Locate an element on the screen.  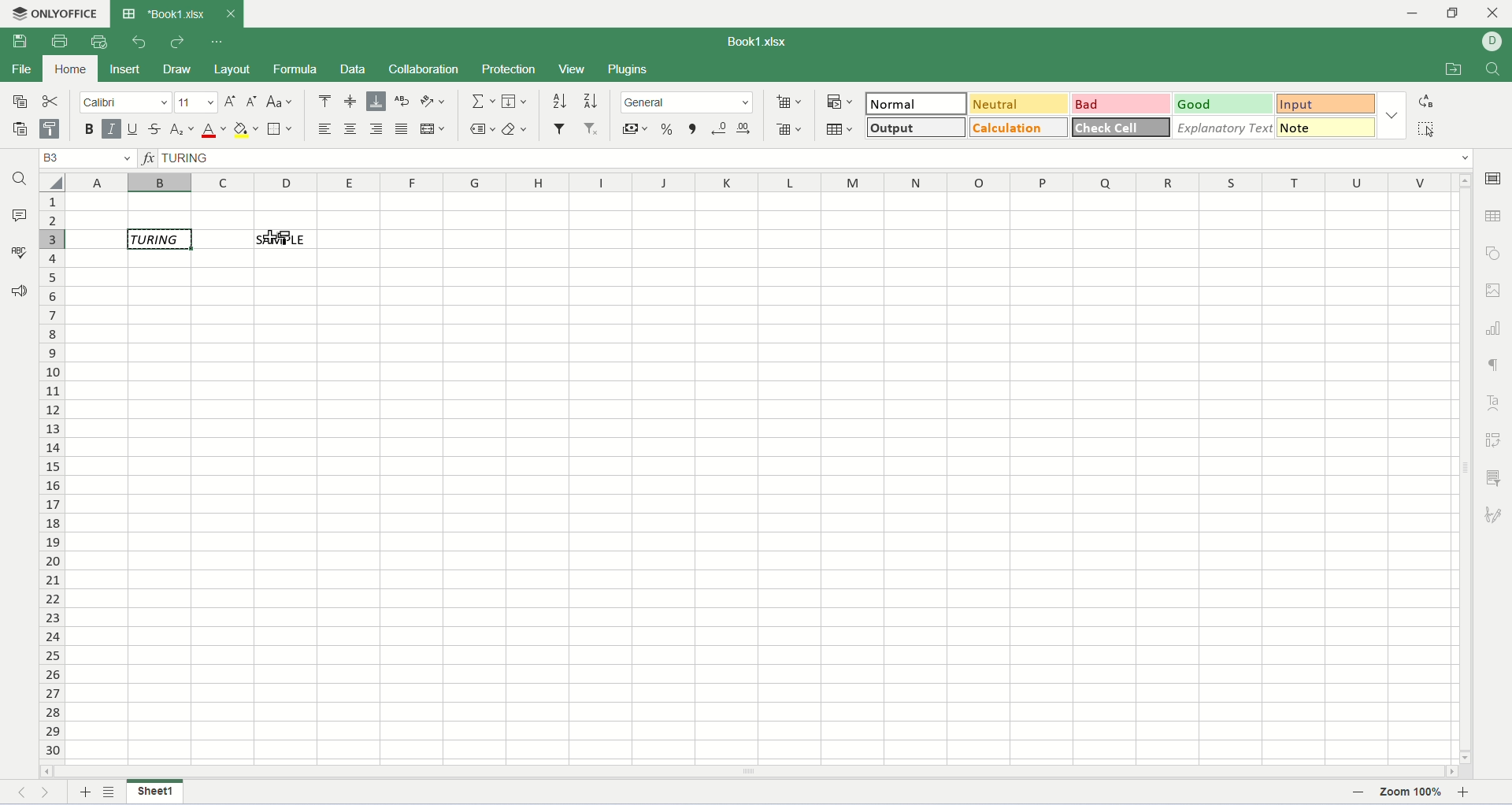
horizontal scroll bar is located at coordinates (748, 772).